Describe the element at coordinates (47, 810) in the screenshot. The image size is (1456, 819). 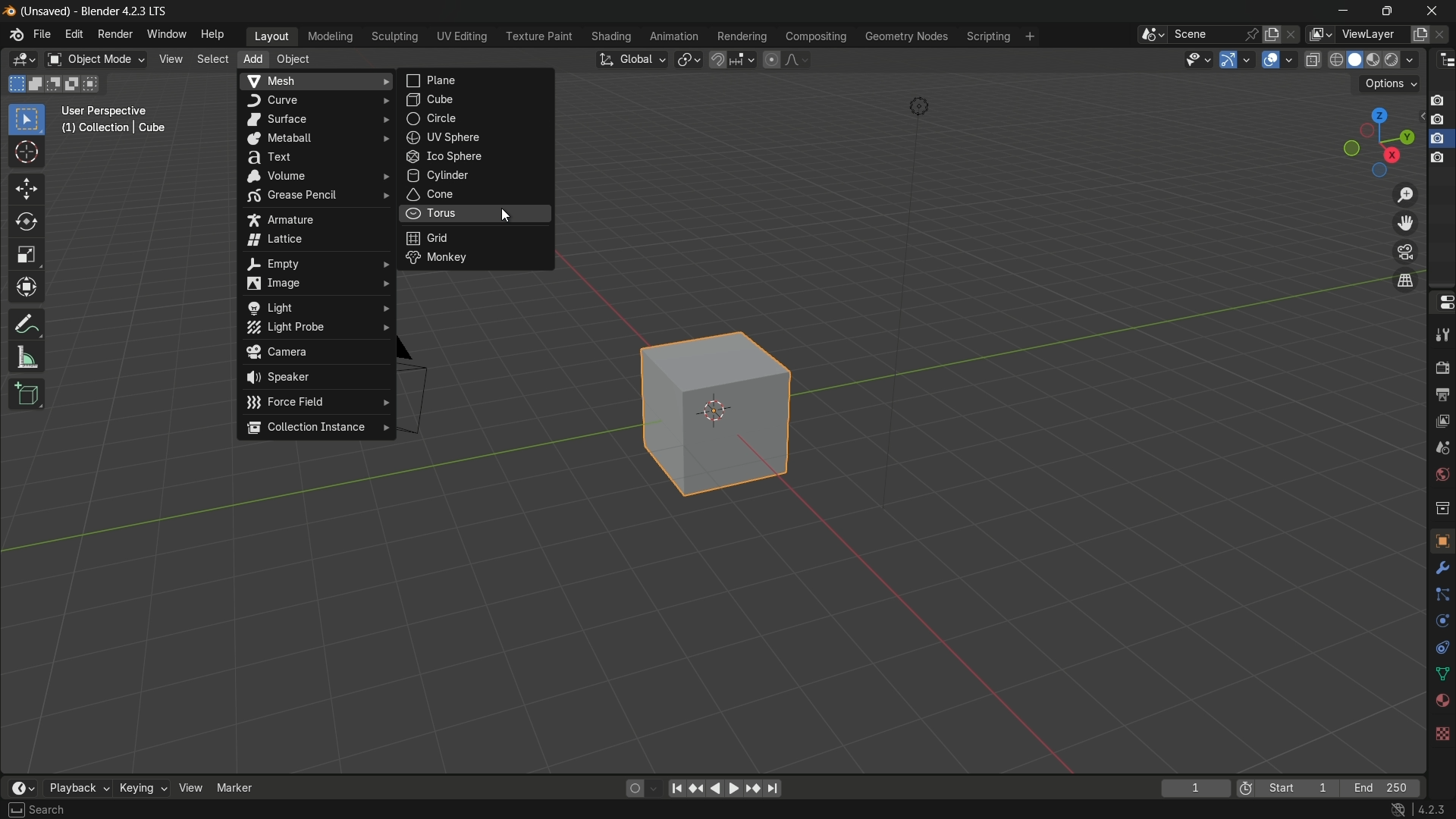
I see `Search` at that location.